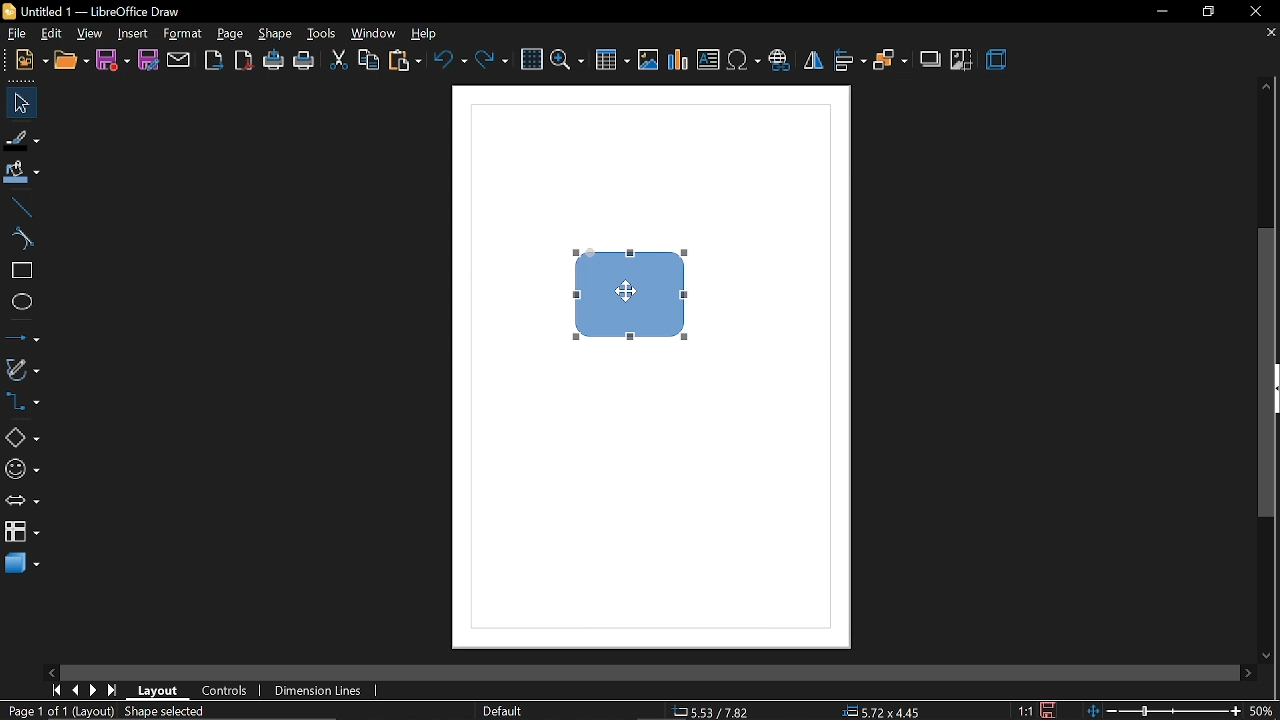 Image resolution: width=1280 pixels, height=720 pixels. What do you see at coordinates (1204, 13) in the screenshot?
I see `restore down` at bounding box center [1204, 13].